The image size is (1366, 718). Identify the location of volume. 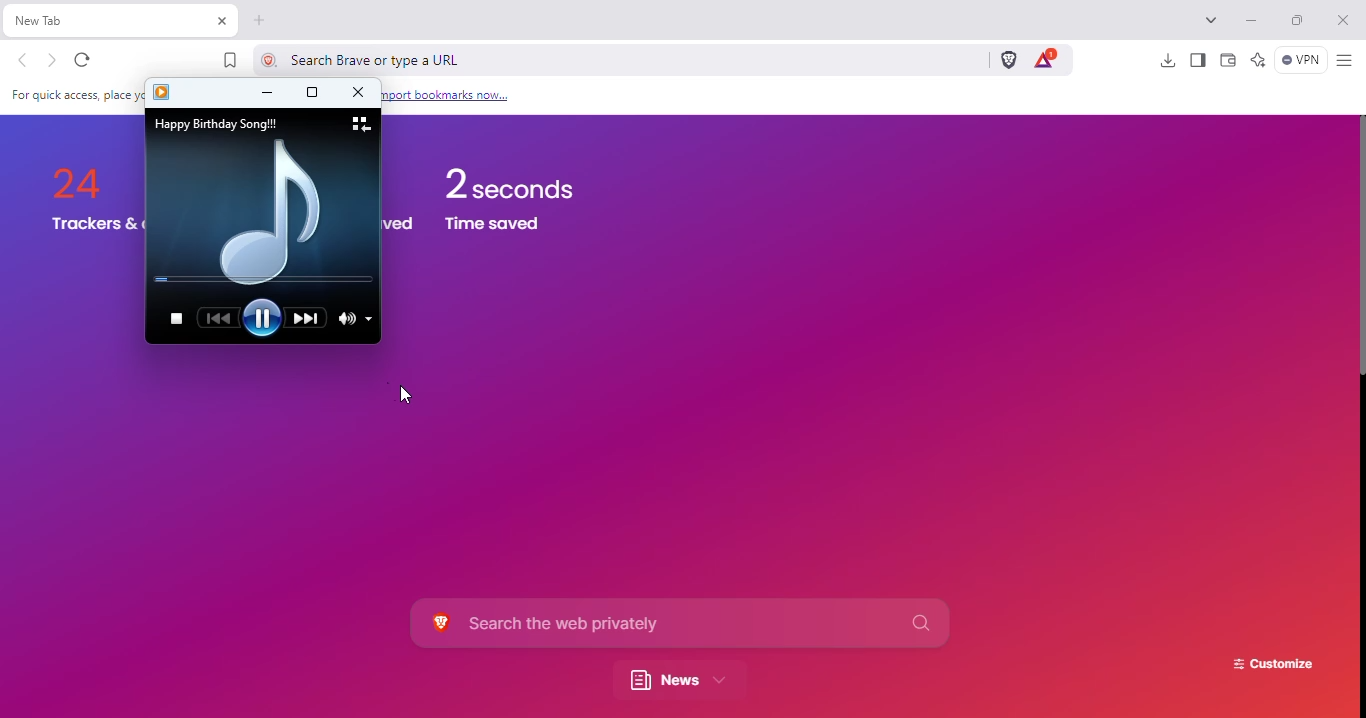
(369, 320).